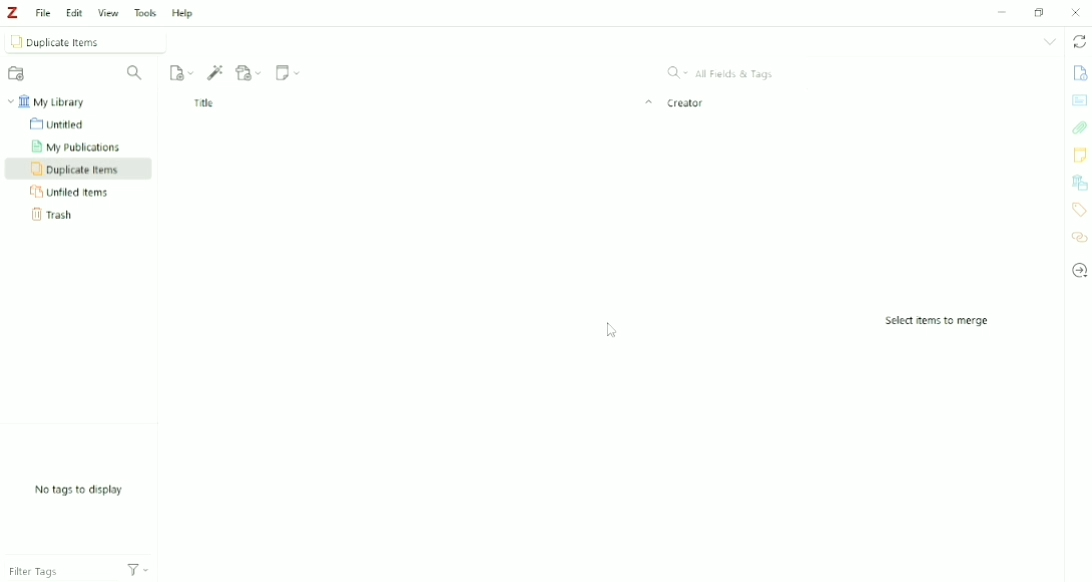  I want to click on New Note, so click(290, 72).